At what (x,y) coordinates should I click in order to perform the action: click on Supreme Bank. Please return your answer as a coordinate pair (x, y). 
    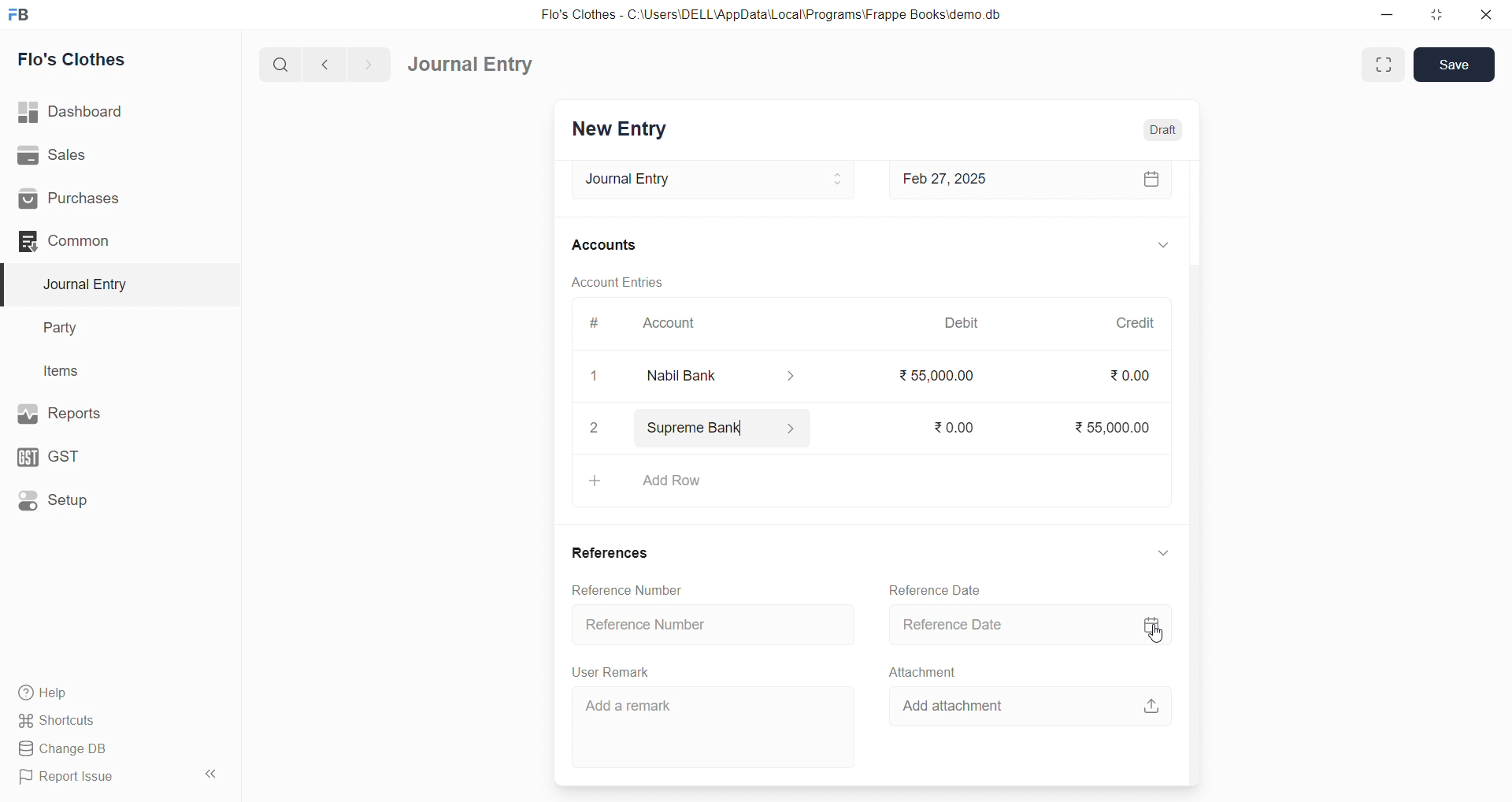
    Looking at the image, I should click on (726, 425).